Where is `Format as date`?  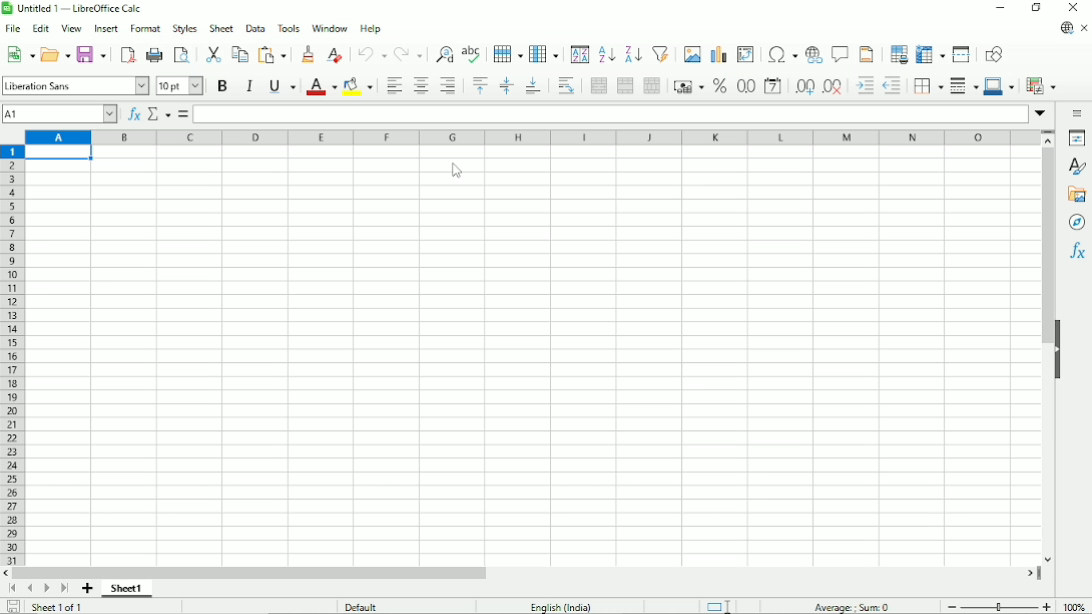 Format as date is located at coordinates (773, 87).